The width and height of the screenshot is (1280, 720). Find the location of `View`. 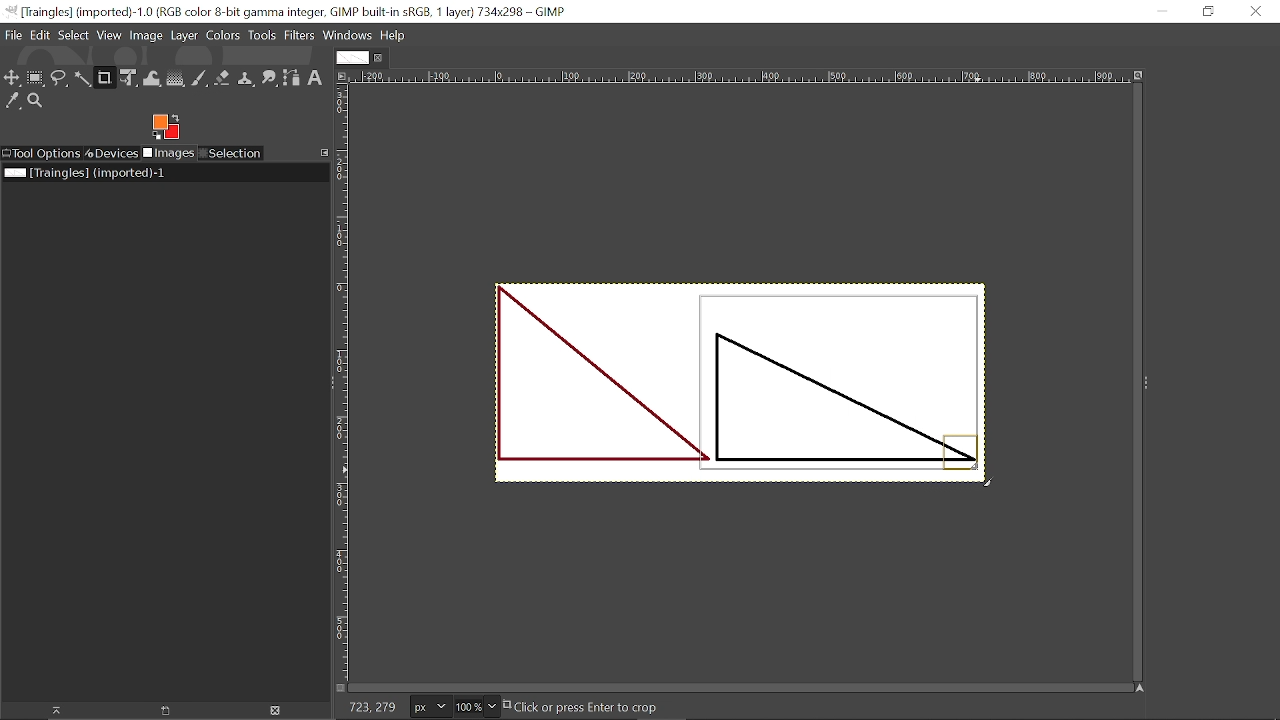

View is located at coordinates (109, 36).